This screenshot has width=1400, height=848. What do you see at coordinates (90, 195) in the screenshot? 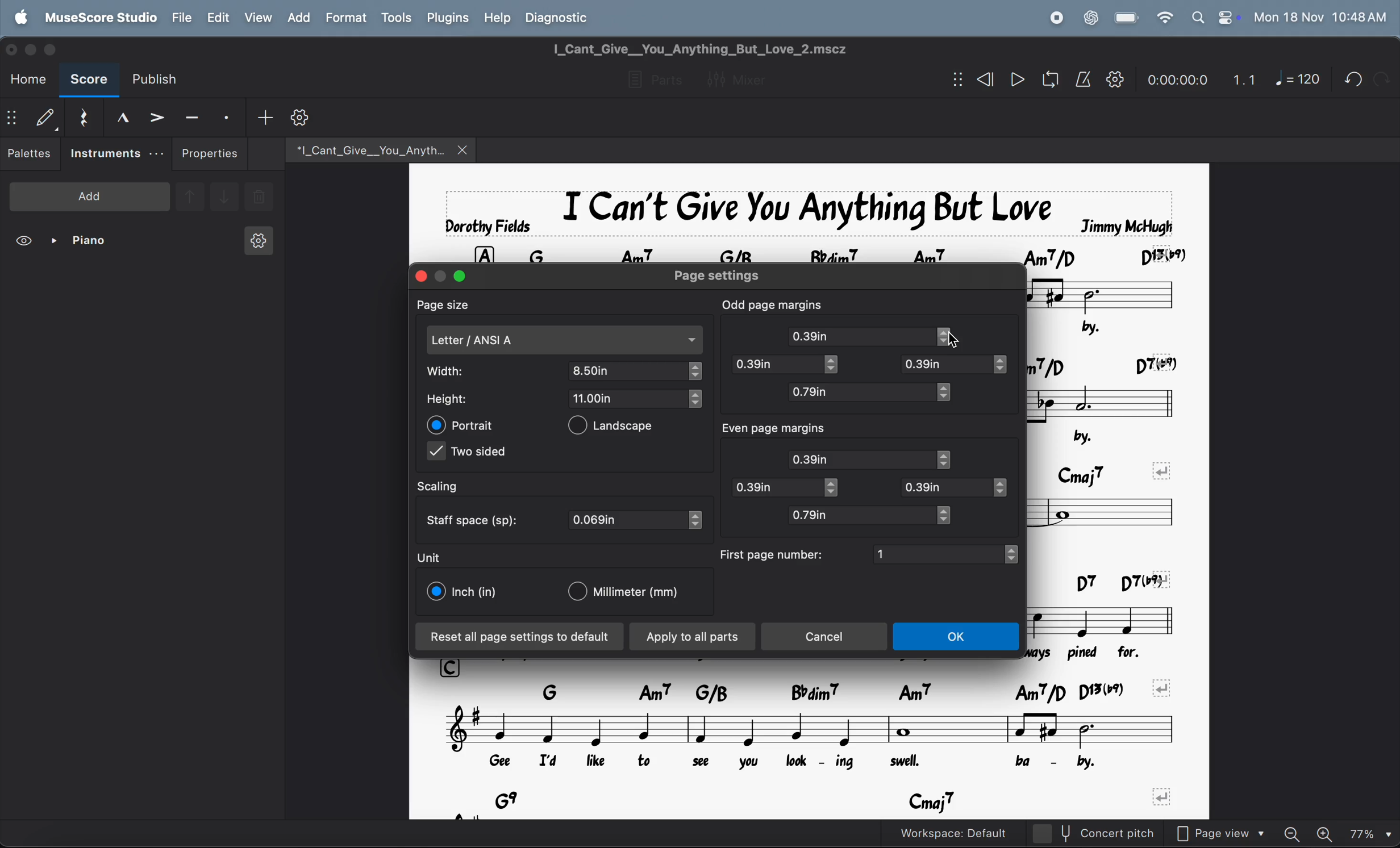
I see `add` at bounding box center [90, 195].